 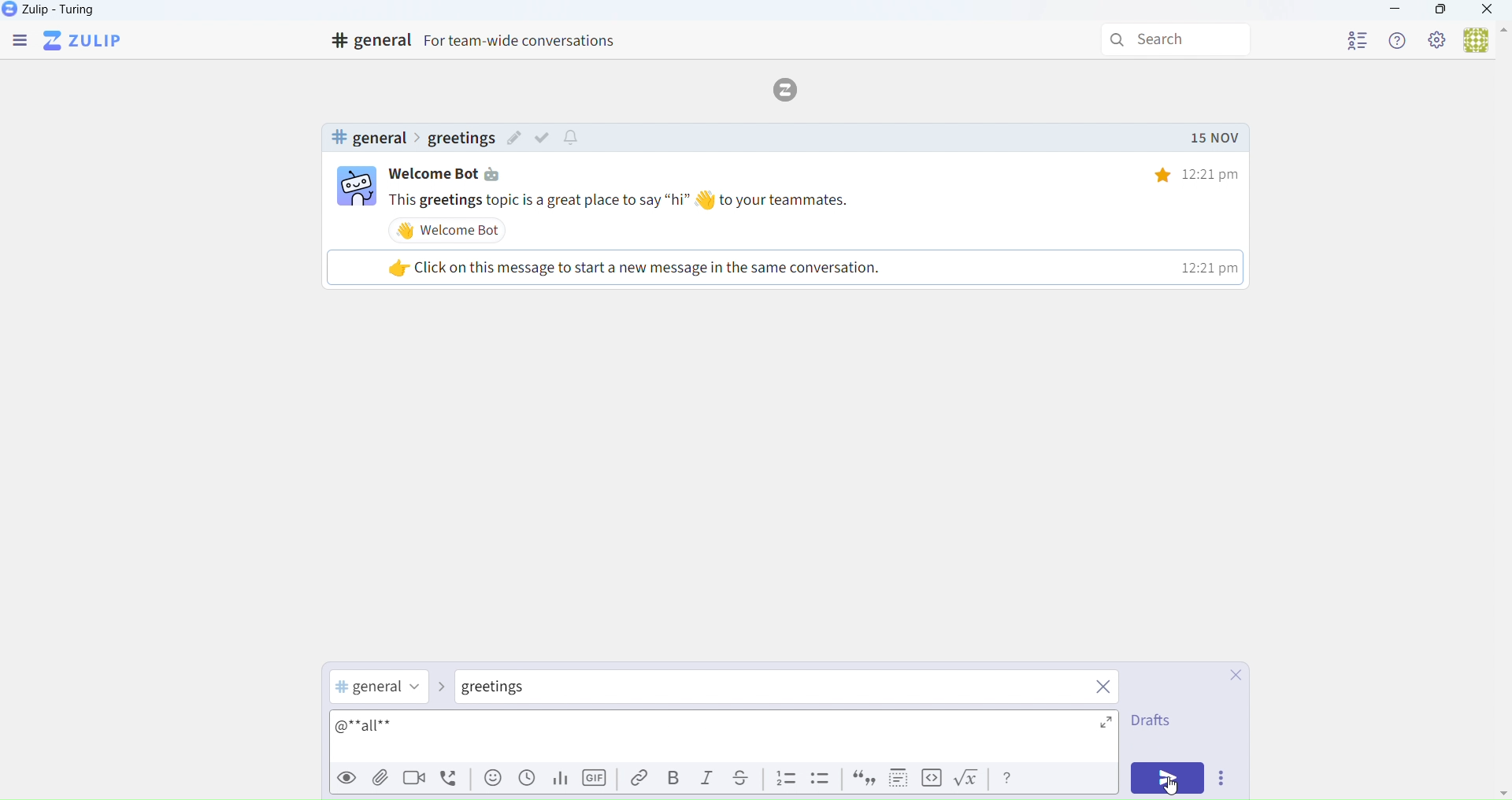 I want to click on Users, so click(x=1484, y=42).